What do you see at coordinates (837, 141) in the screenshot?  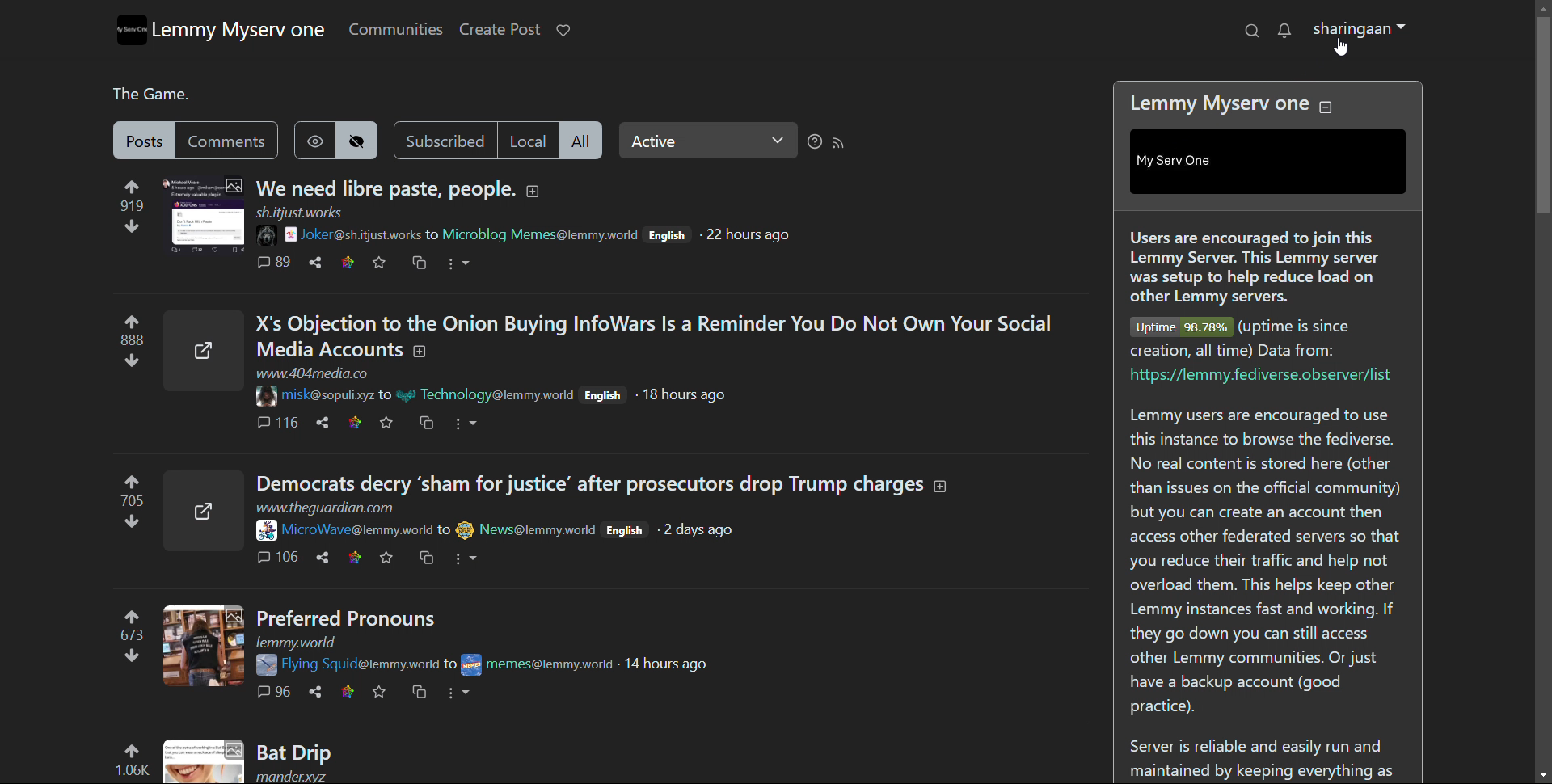 I see `rss` at bounding box center [837, 141].